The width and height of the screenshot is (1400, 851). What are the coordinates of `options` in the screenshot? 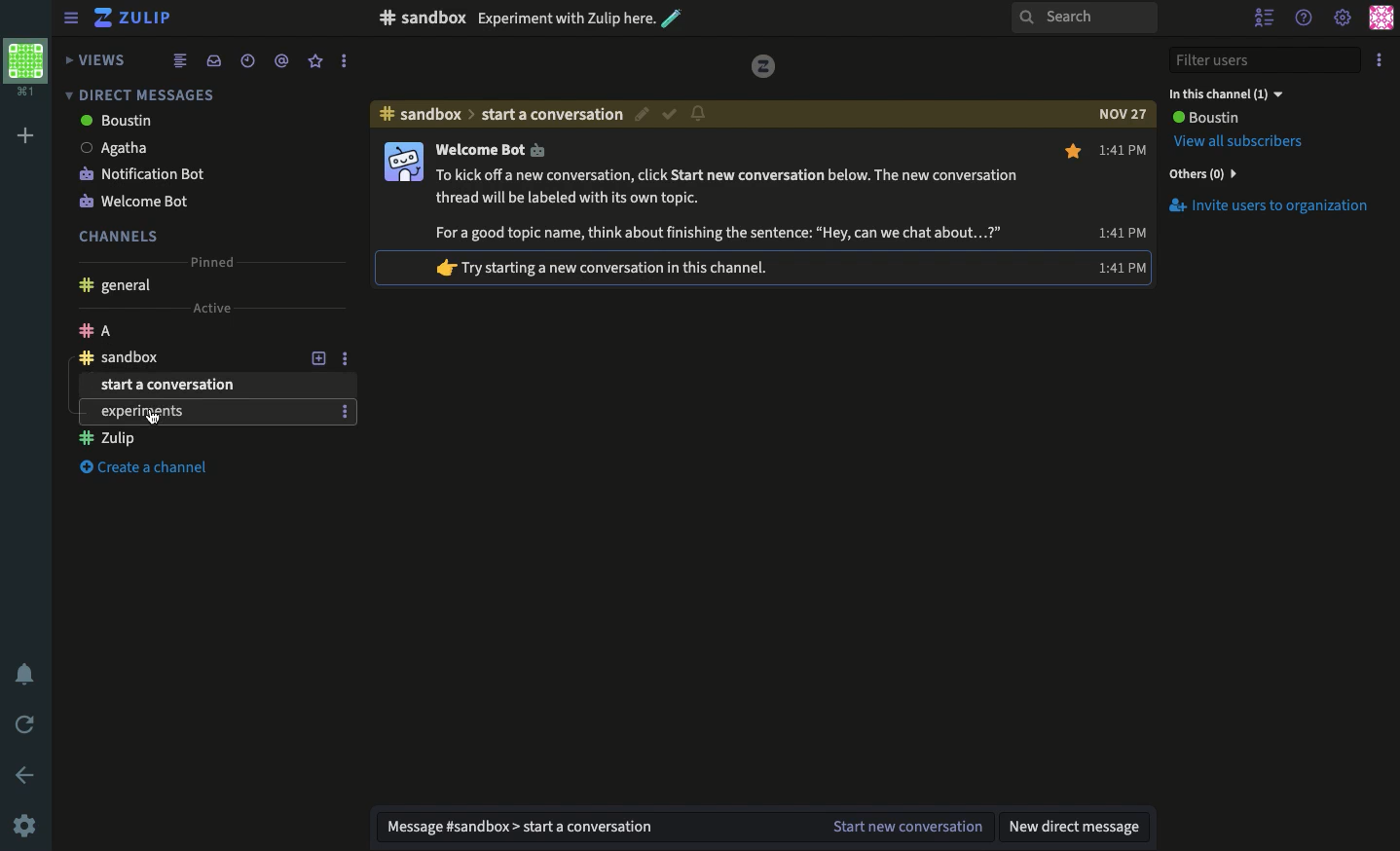 It's located at (345, 412).